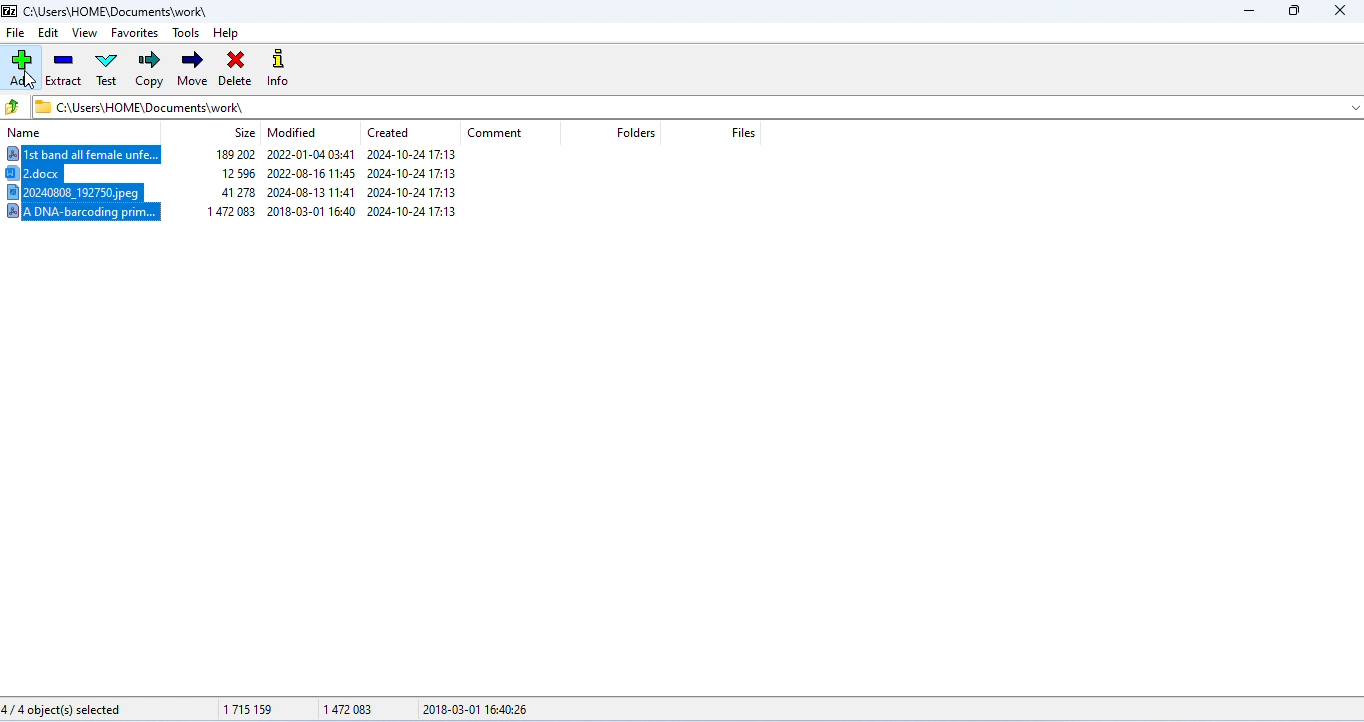  Describe the element at coordinates (254, 213) in the screenshot. I see `/ADNA-barcoding prim... | ~~ 1472083 2018-03-01 16:40 2024-10-24 17:13` at that location.